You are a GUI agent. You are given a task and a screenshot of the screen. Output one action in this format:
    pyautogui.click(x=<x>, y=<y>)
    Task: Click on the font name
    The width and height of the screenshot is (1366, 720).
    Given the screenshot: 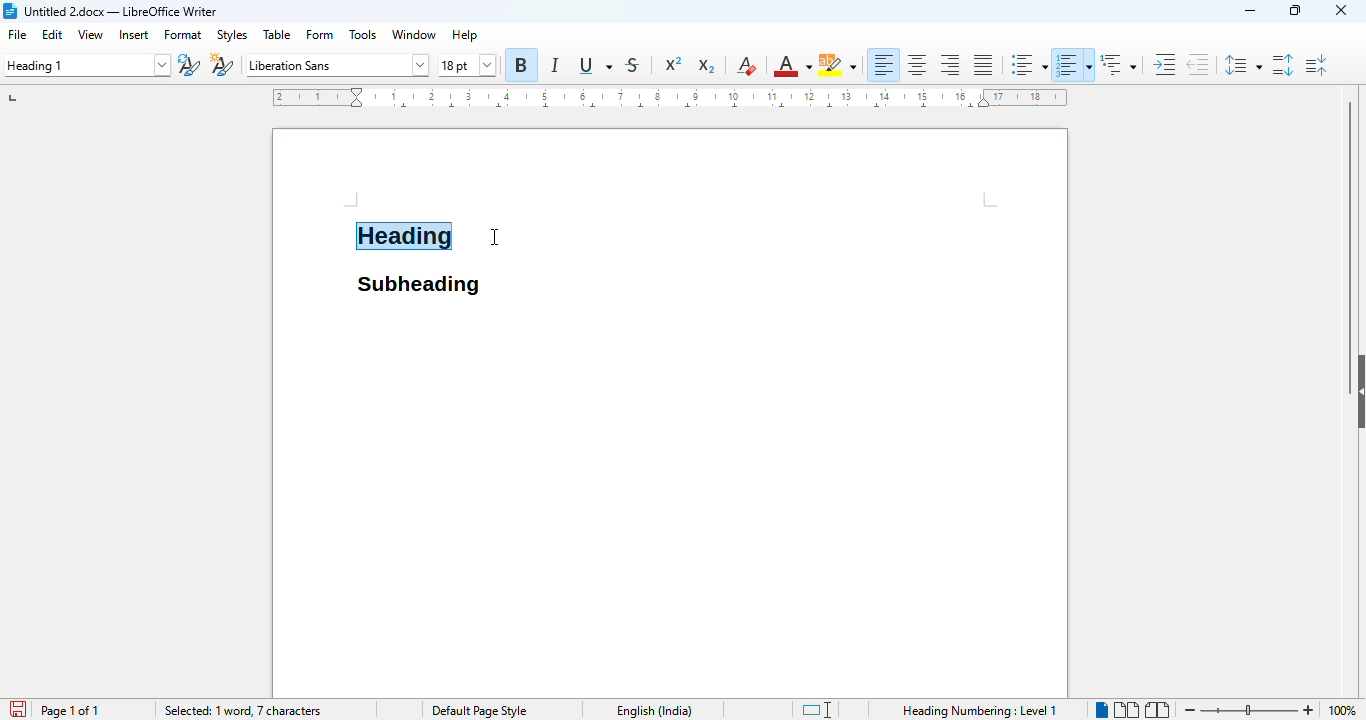 What is the action you would take?
    pyautogui.click(x=336, y=65)
    